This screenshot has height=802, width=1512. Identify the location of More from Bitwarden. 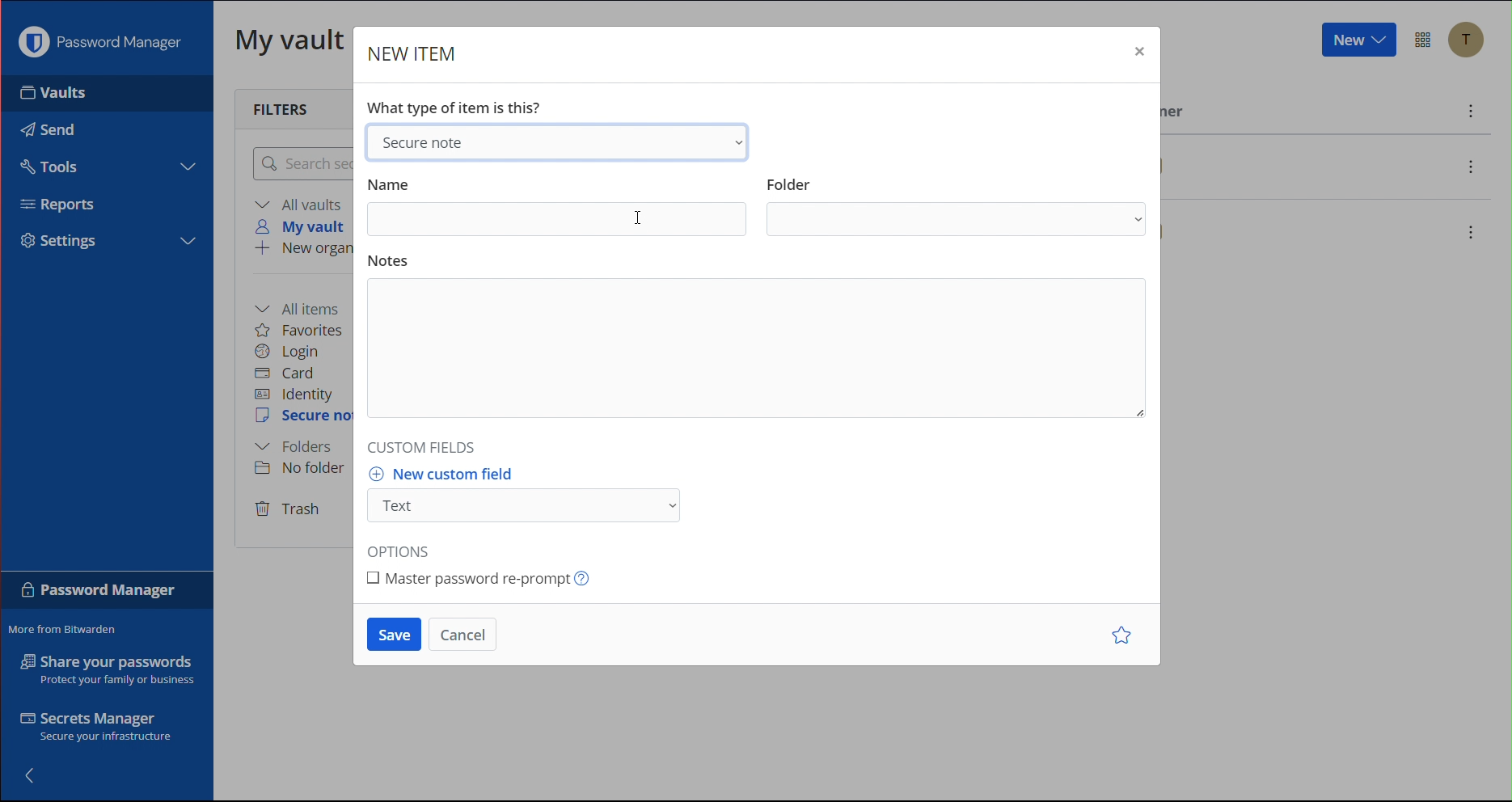
(67, 627).